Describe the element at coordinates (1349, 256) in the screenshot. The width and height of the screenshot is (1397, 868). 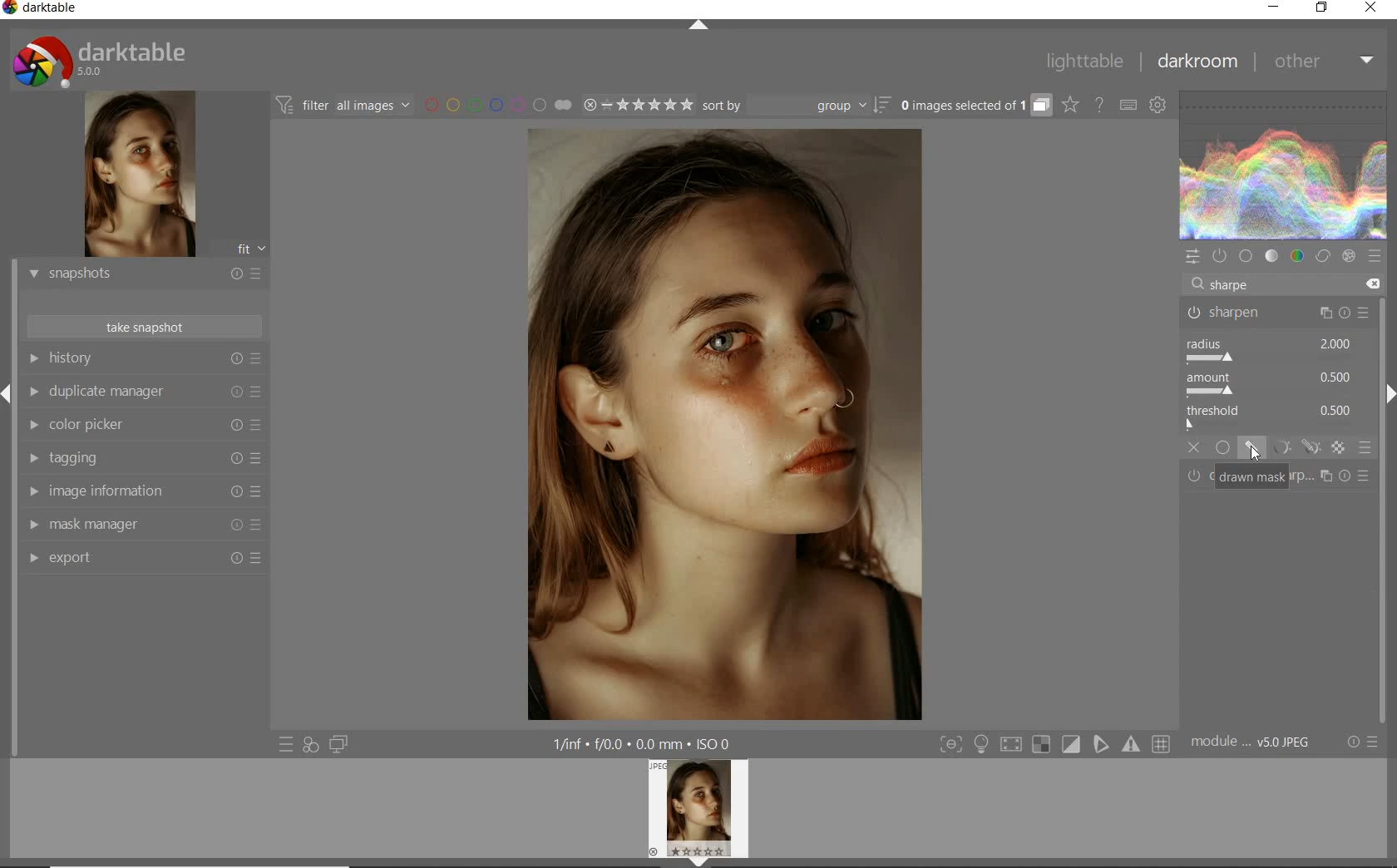
I see `effect` at that location.